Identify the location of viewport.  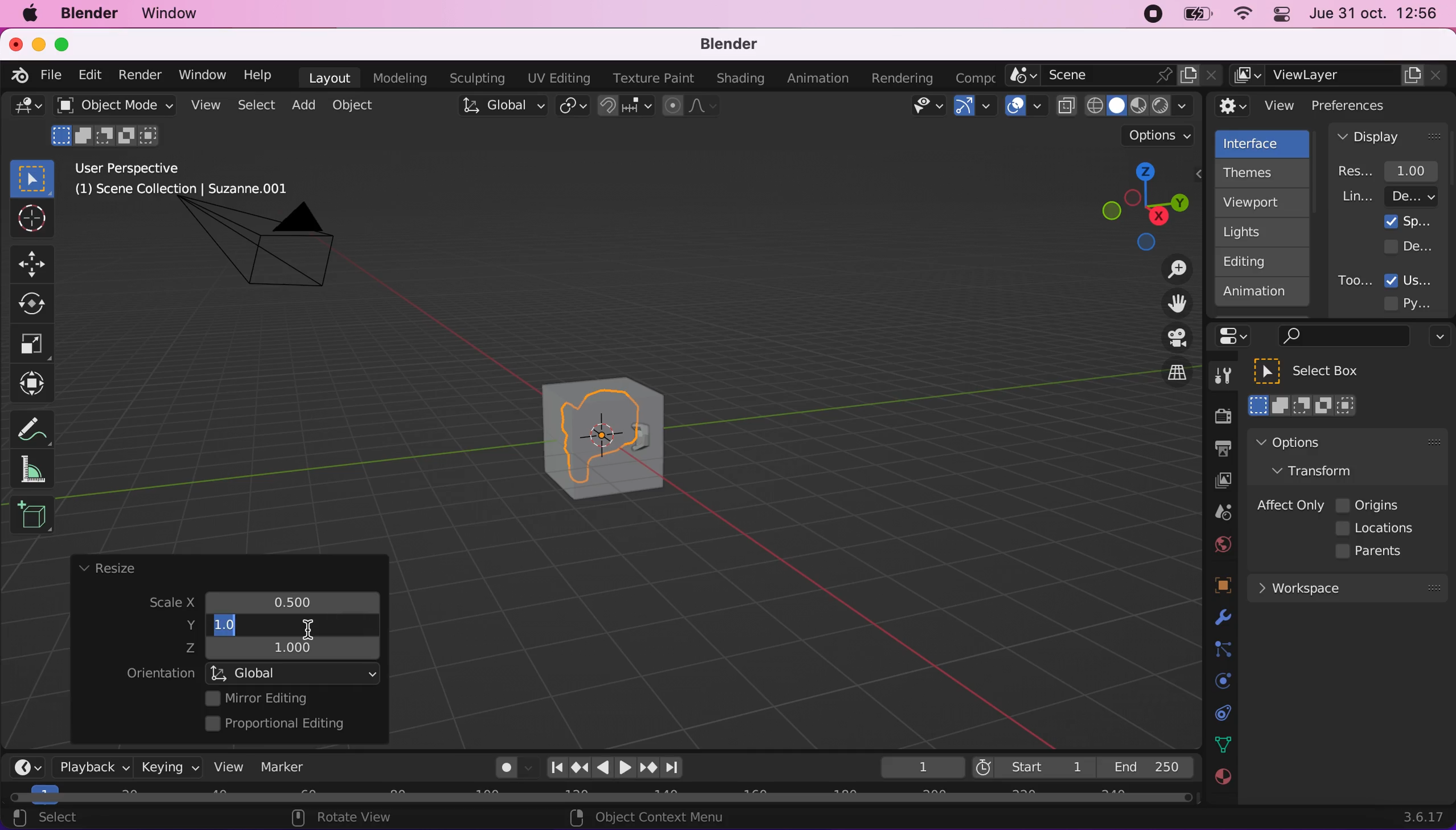
(1265, 202).